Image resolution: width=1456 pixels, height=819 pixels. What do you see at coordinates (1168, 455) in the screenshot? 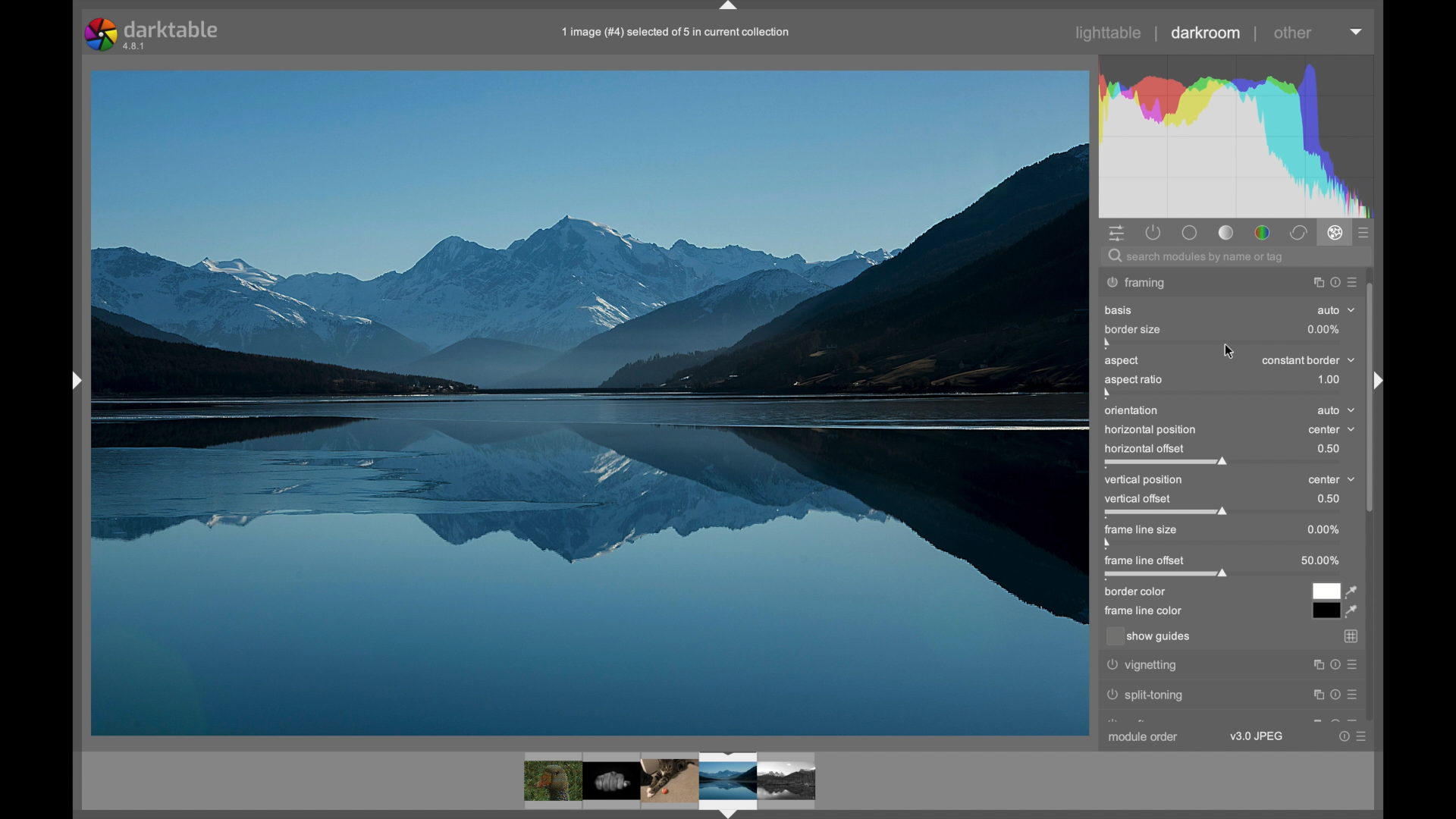
I see `horizontal offset slider` at bounding box center [1168, 455].